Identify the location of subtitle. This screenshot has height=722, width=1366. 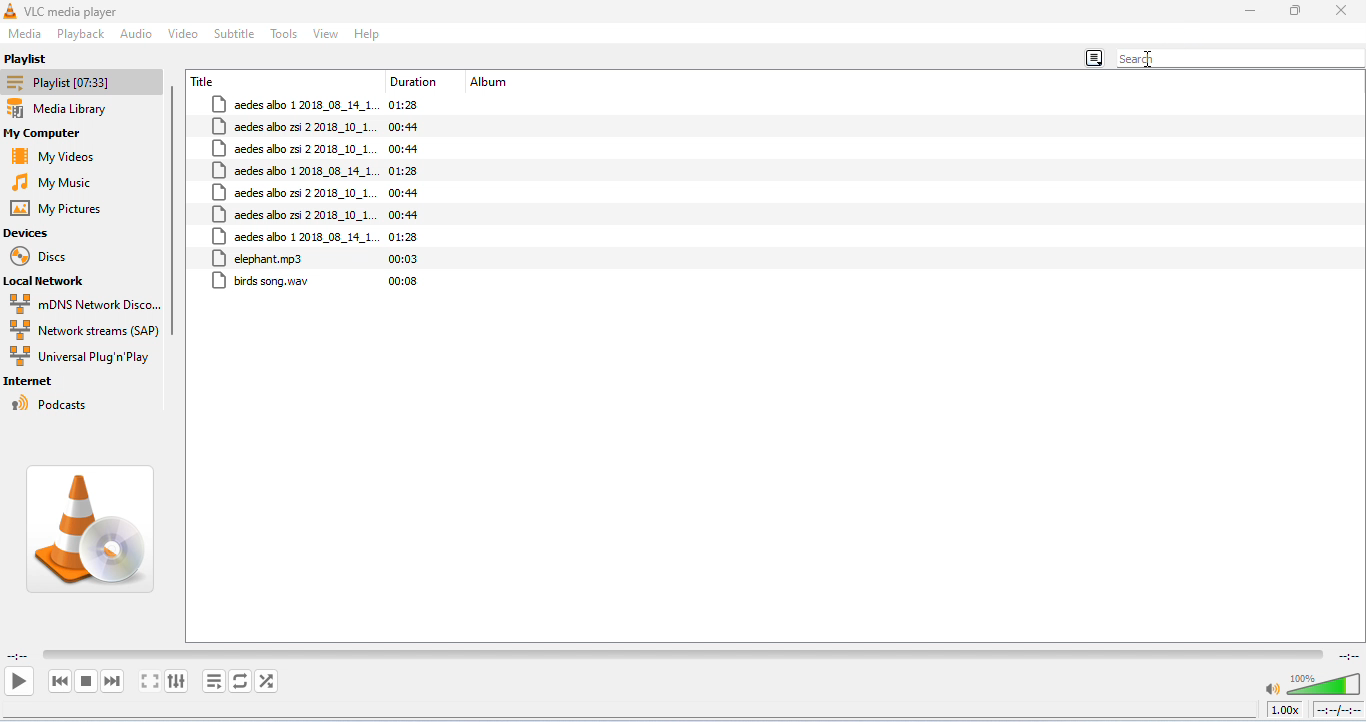
(235, 34).